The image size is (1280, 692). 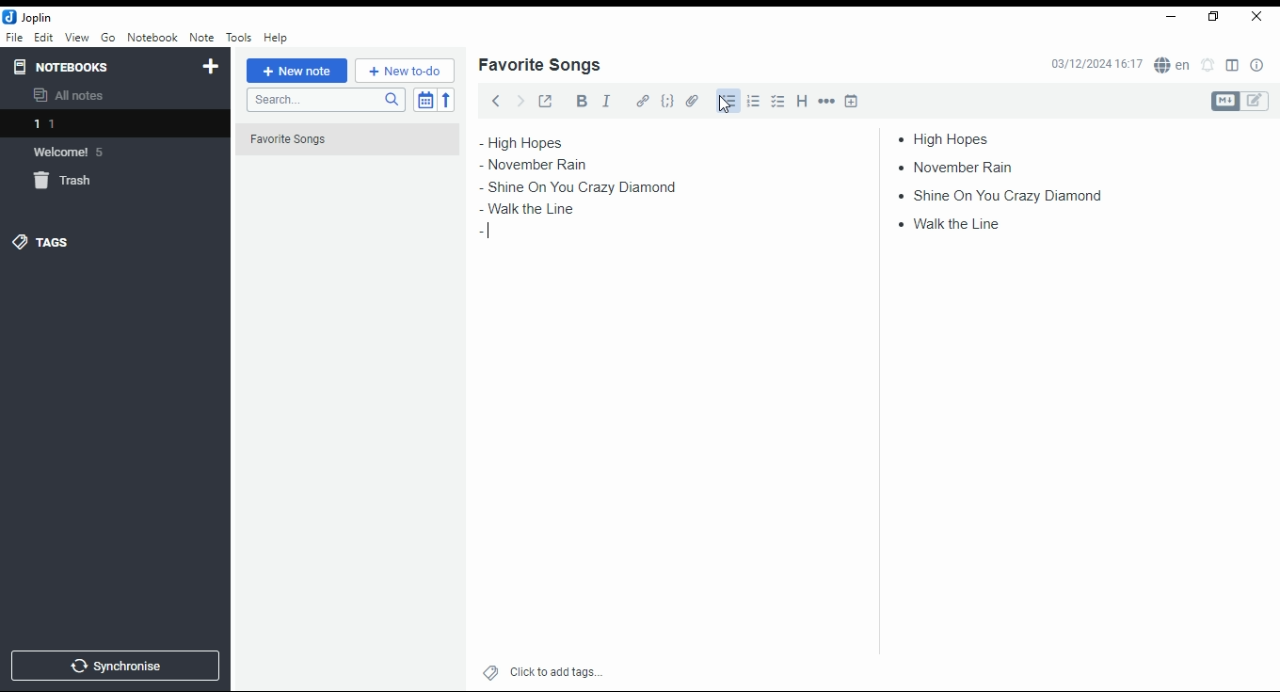 What do you see at coordinates (240, 38) in the screenshot?
I see `tools` at bounding box center [240, 38].